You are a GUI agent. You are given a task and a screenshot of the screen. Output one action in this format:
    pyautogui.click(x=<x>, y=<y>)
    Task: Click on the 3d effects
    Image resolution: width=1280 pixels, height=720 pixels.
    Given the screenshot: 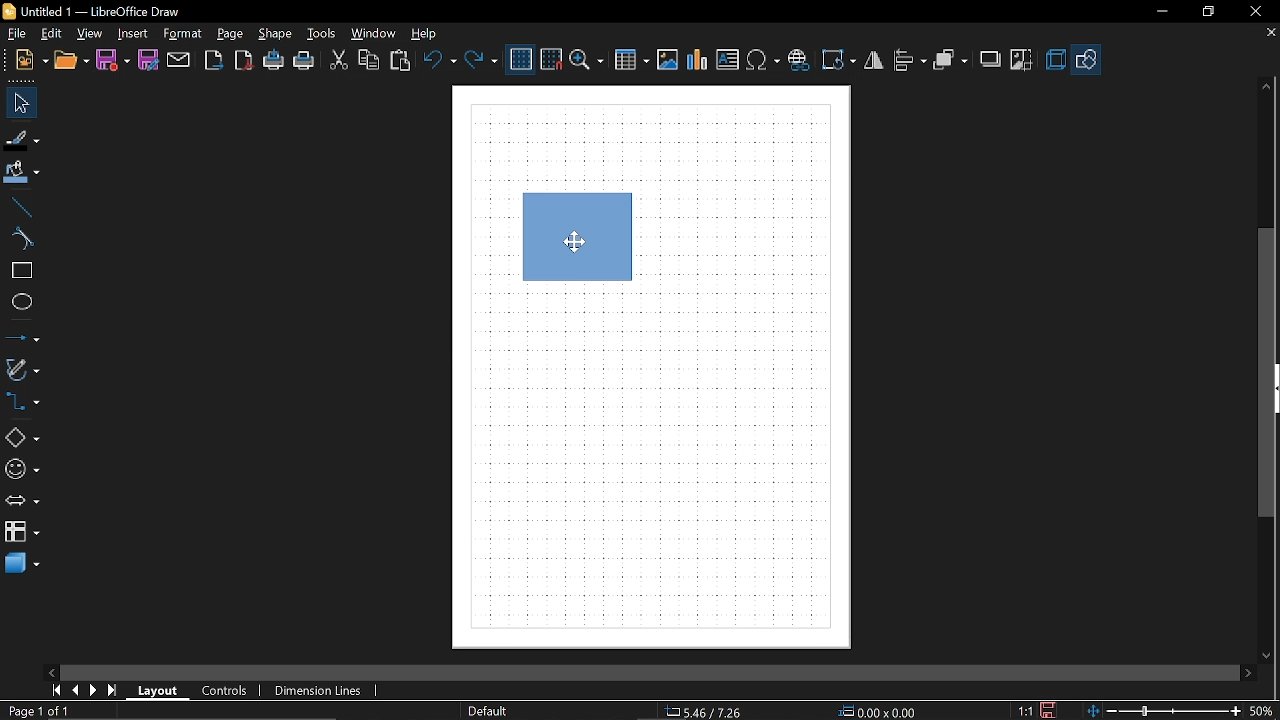 What is the action you would take?
    pyautogui.click(x=1055, y=60)
    